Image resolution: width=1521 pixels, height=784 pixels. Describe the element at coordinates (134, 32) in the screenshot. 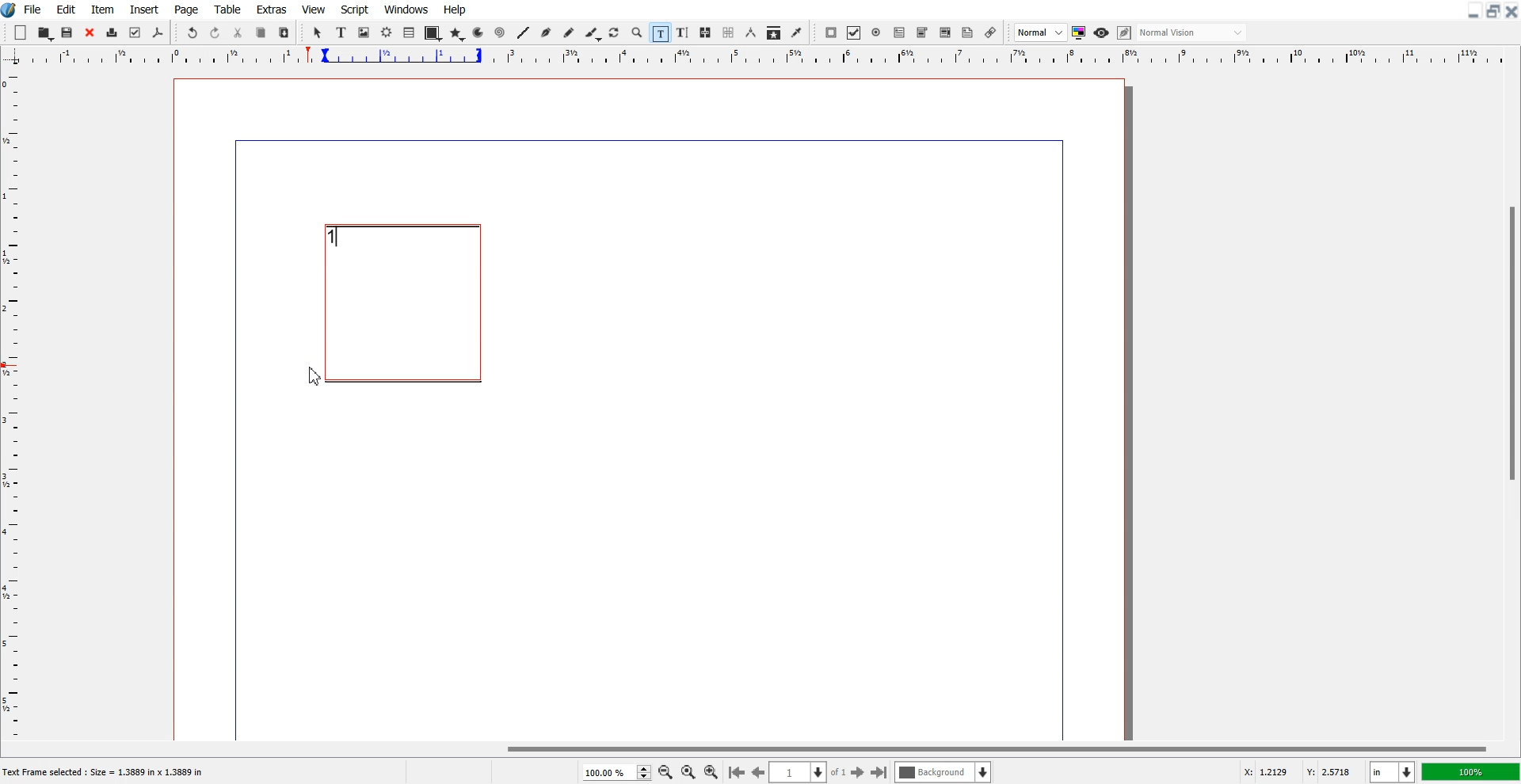

I see `Preflight verifier` at that location.